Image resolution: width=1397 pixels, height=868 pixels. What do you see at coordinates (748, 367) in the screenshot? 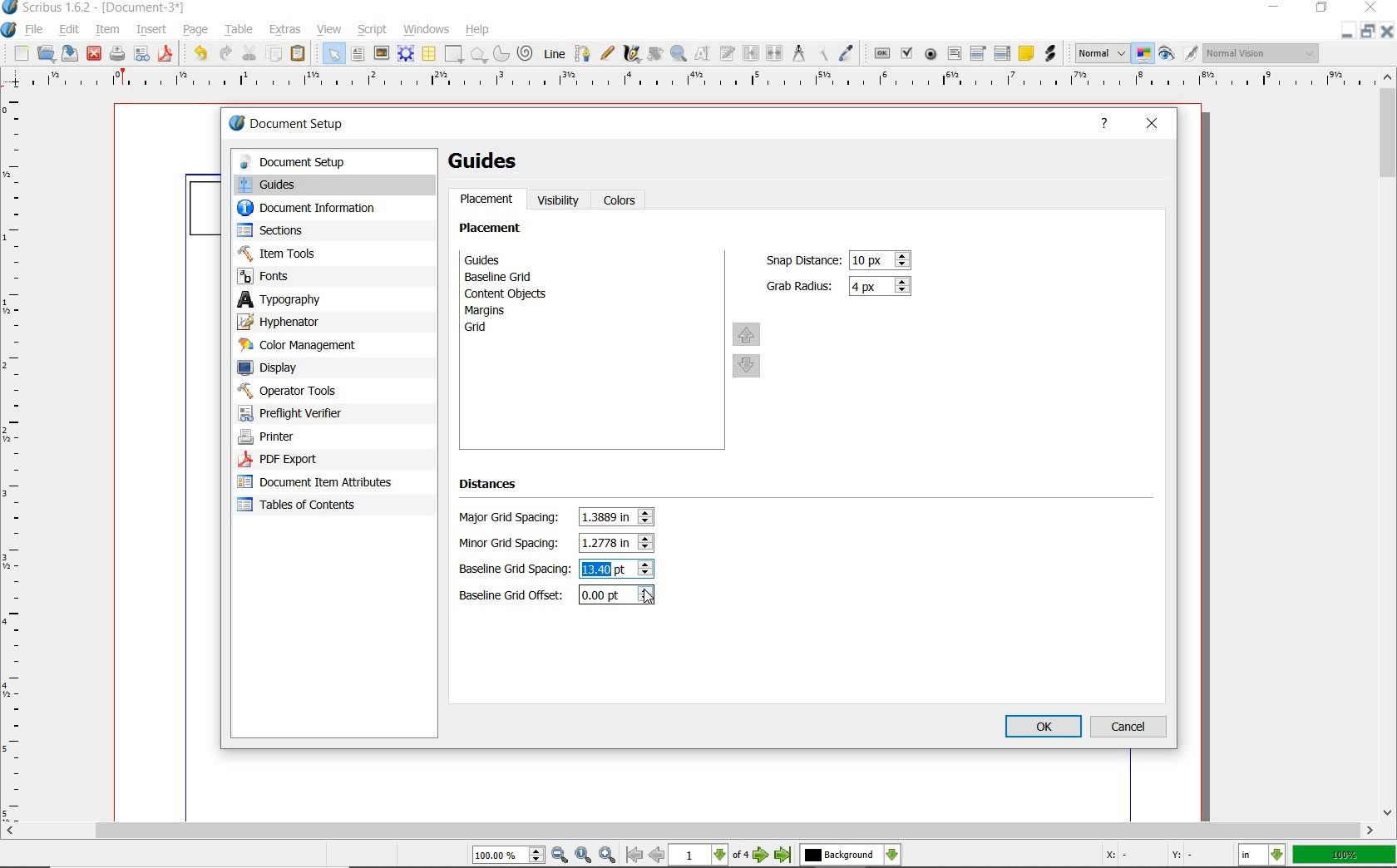
I see `move down` at bounding box center [748, 367].